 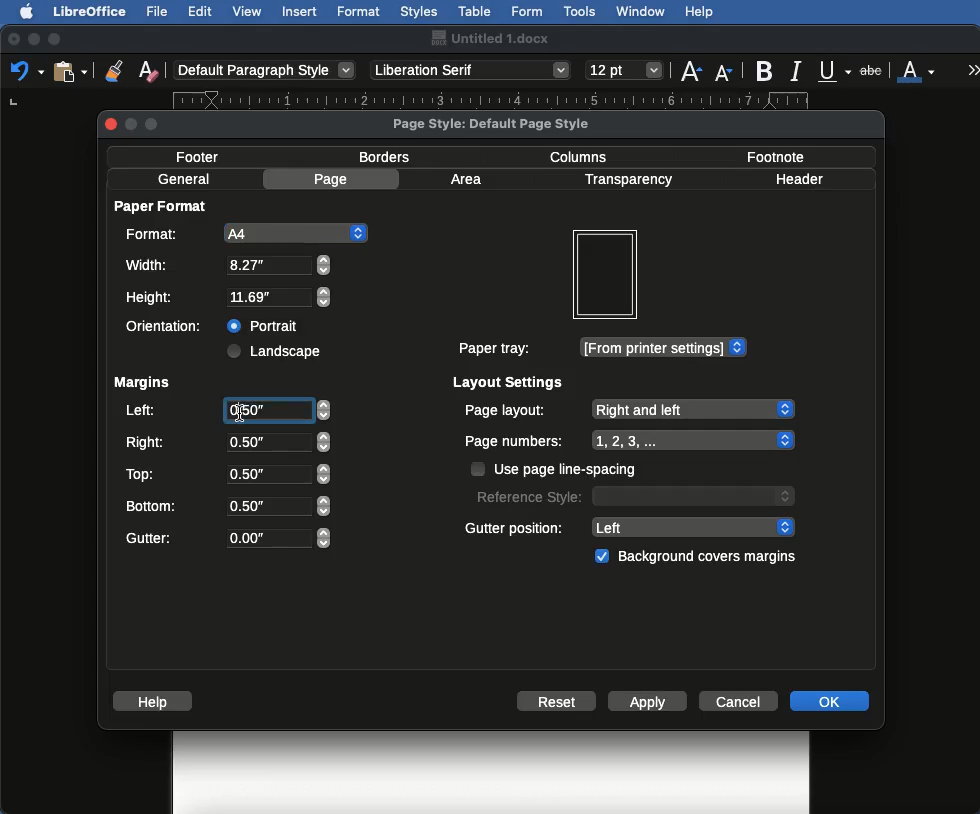 What do you see at coordinates (627, 180) in the screenshot?
I see `Transparency` at bounding box center [627, 180].